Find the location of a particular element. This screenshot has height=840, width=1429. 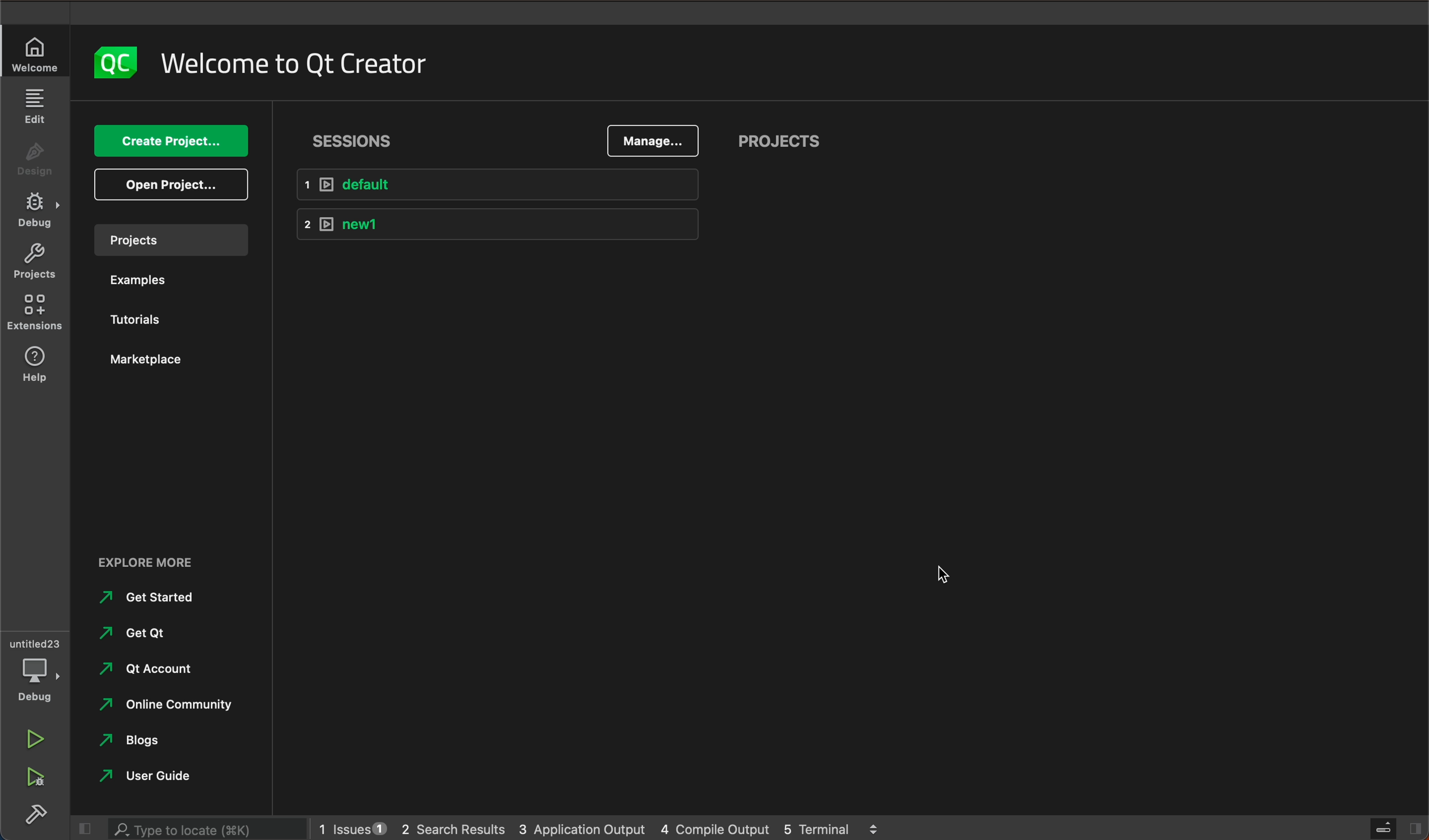

blogs is located at coordinates (136, 741).